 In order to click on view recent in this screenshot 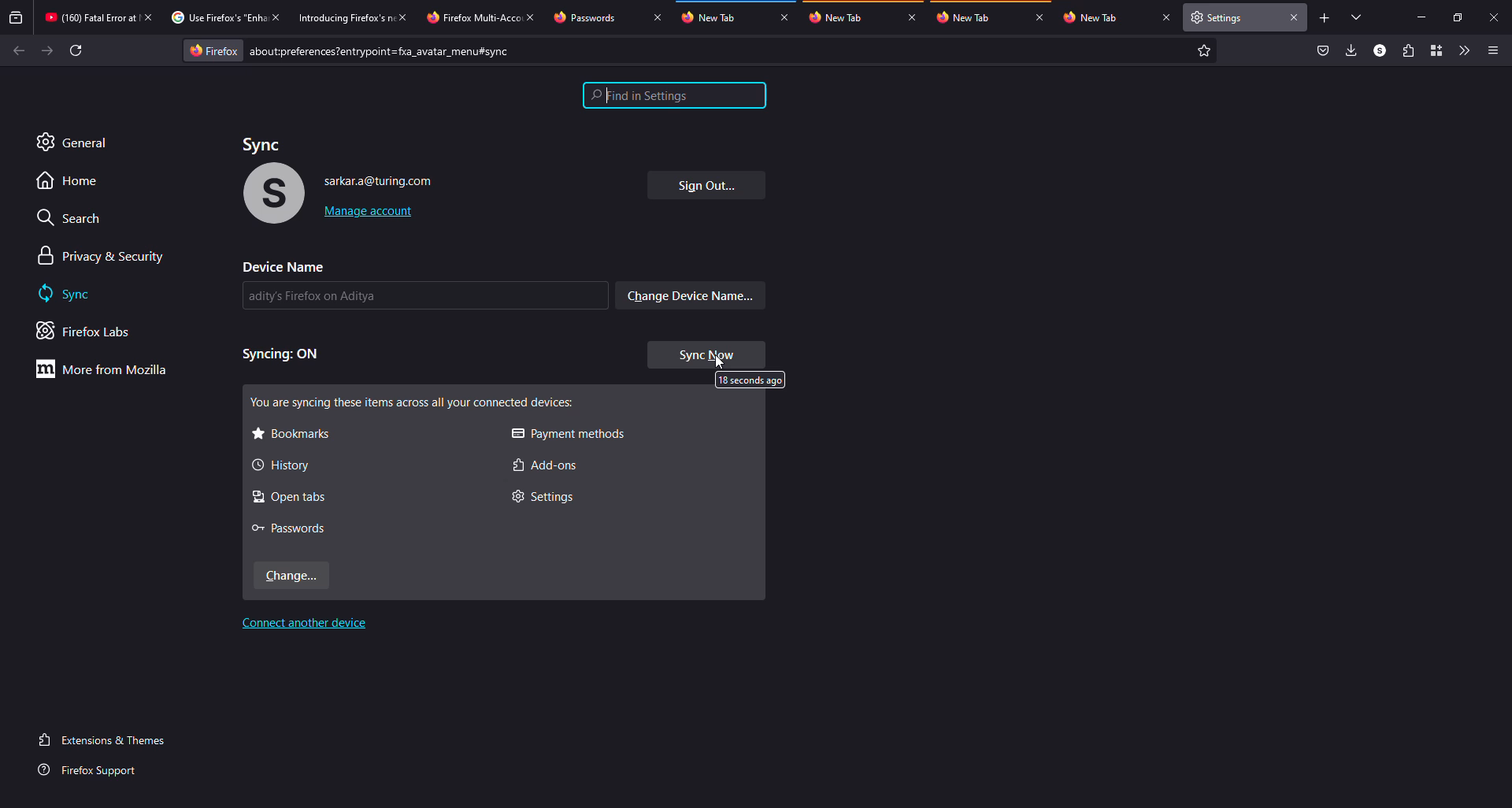, I will do `click(17, 17)`.